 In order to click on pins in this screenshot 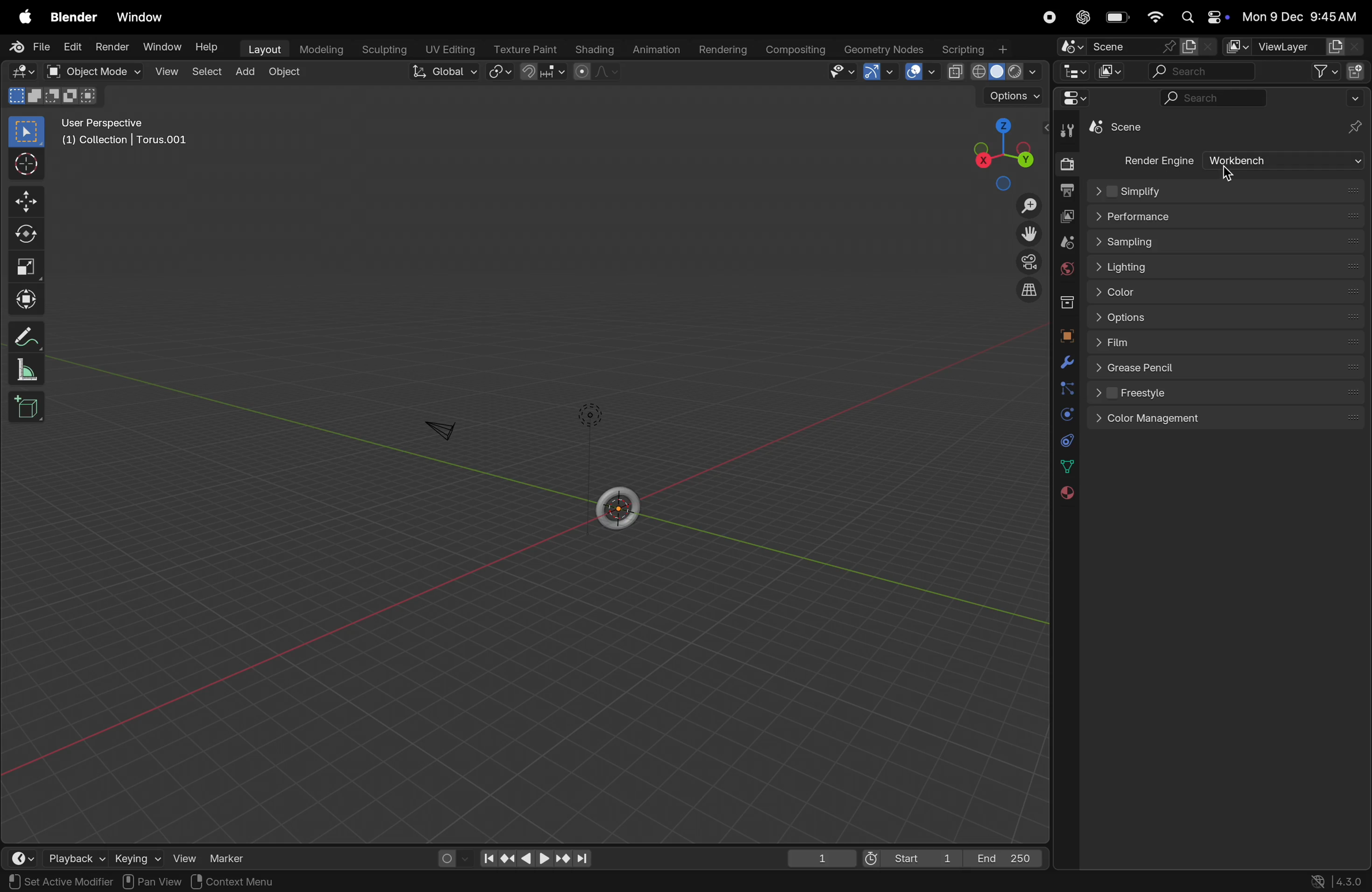, I will do `click(1356, 127)`.